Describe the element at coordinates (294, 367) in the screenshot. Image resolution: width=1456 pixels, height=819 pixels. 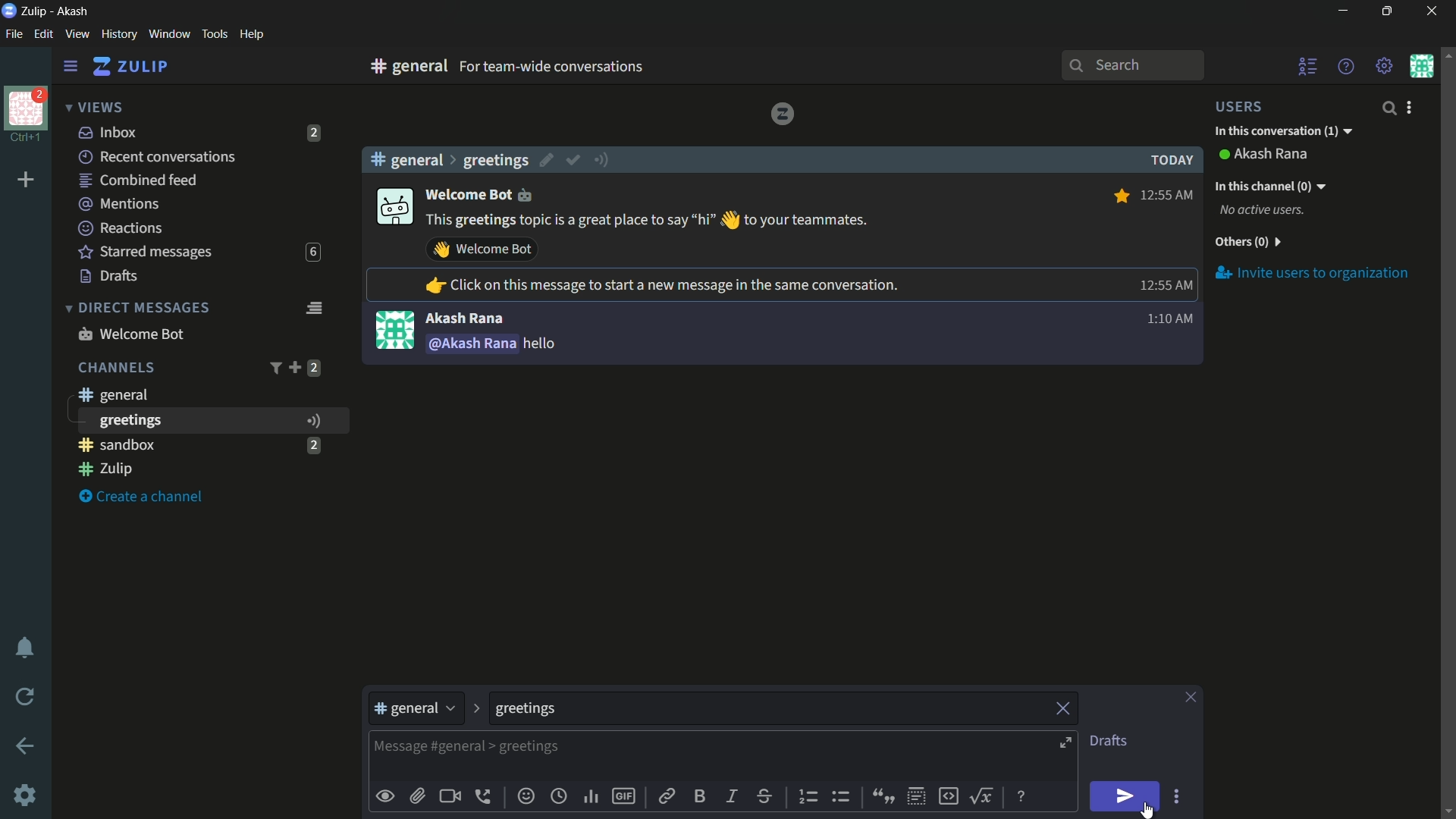
I see `add channel` at that location.